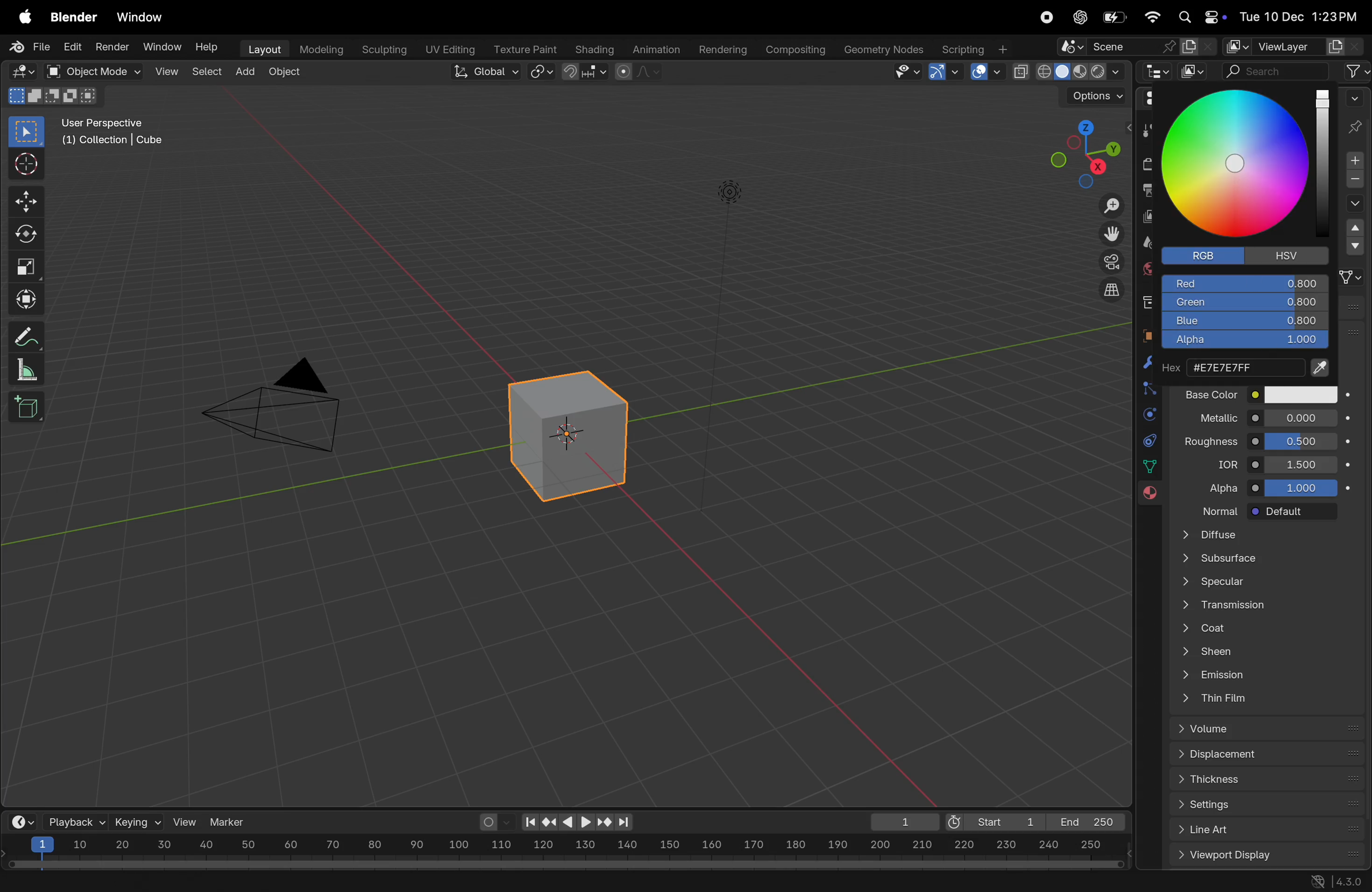  Describe the element at coordinates (446, 47) in the screenshot. I see `Uv editing` at that location.